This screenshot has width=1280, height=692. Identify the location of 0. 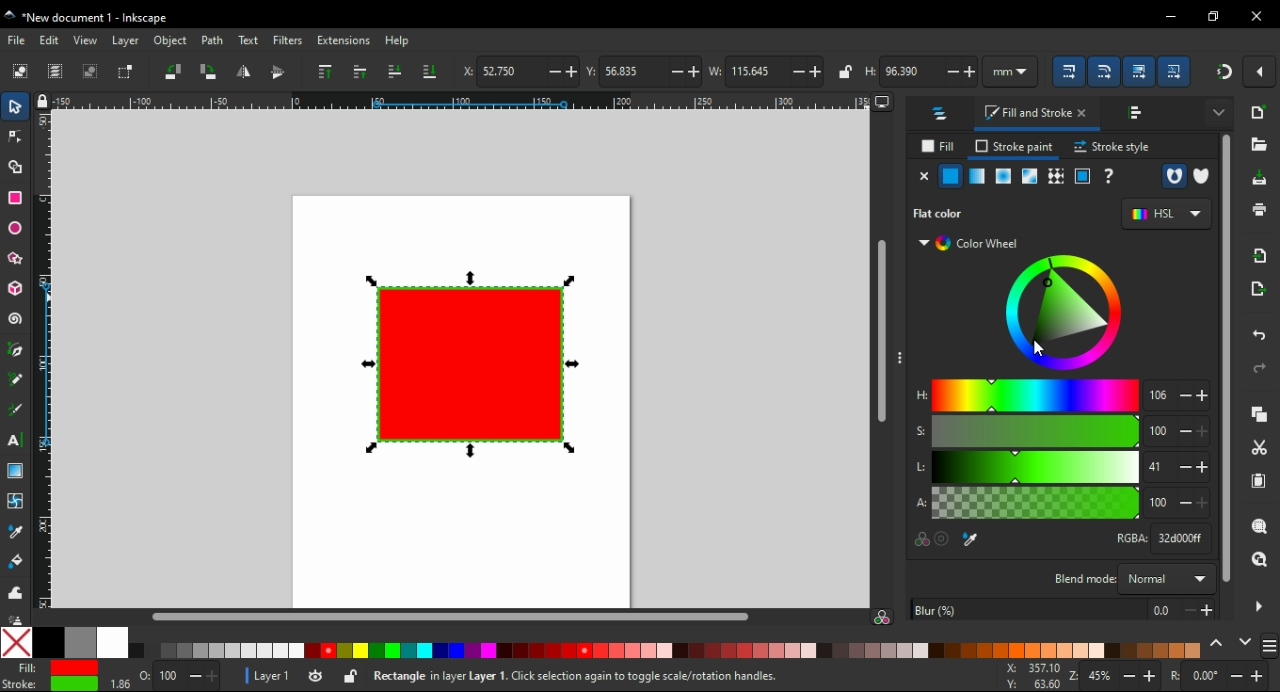
(144, 673).